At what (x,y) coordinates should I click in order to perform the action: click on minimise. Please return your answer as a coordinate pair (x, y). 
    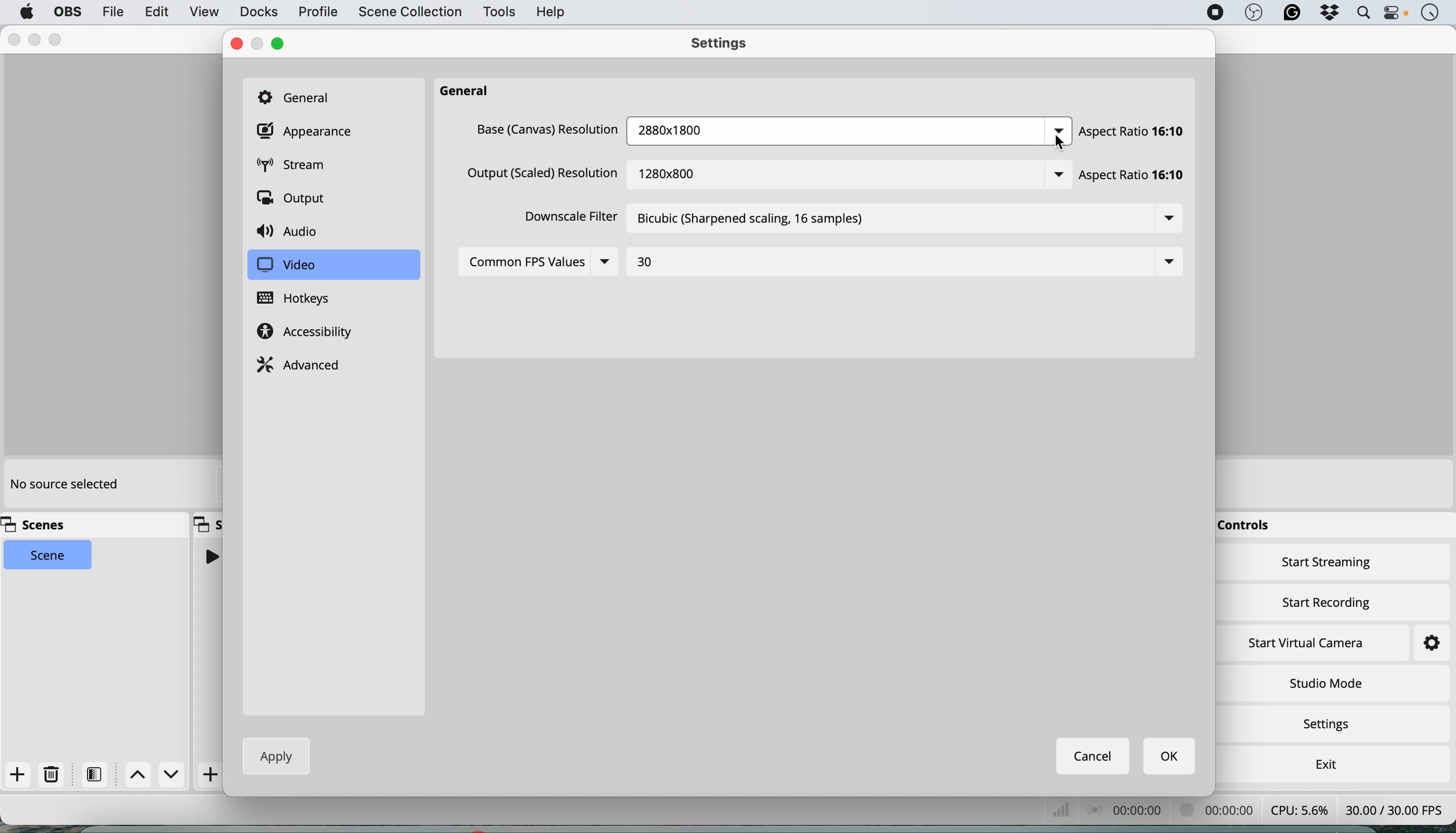
    Looking at the image, I should click on (38, 40).